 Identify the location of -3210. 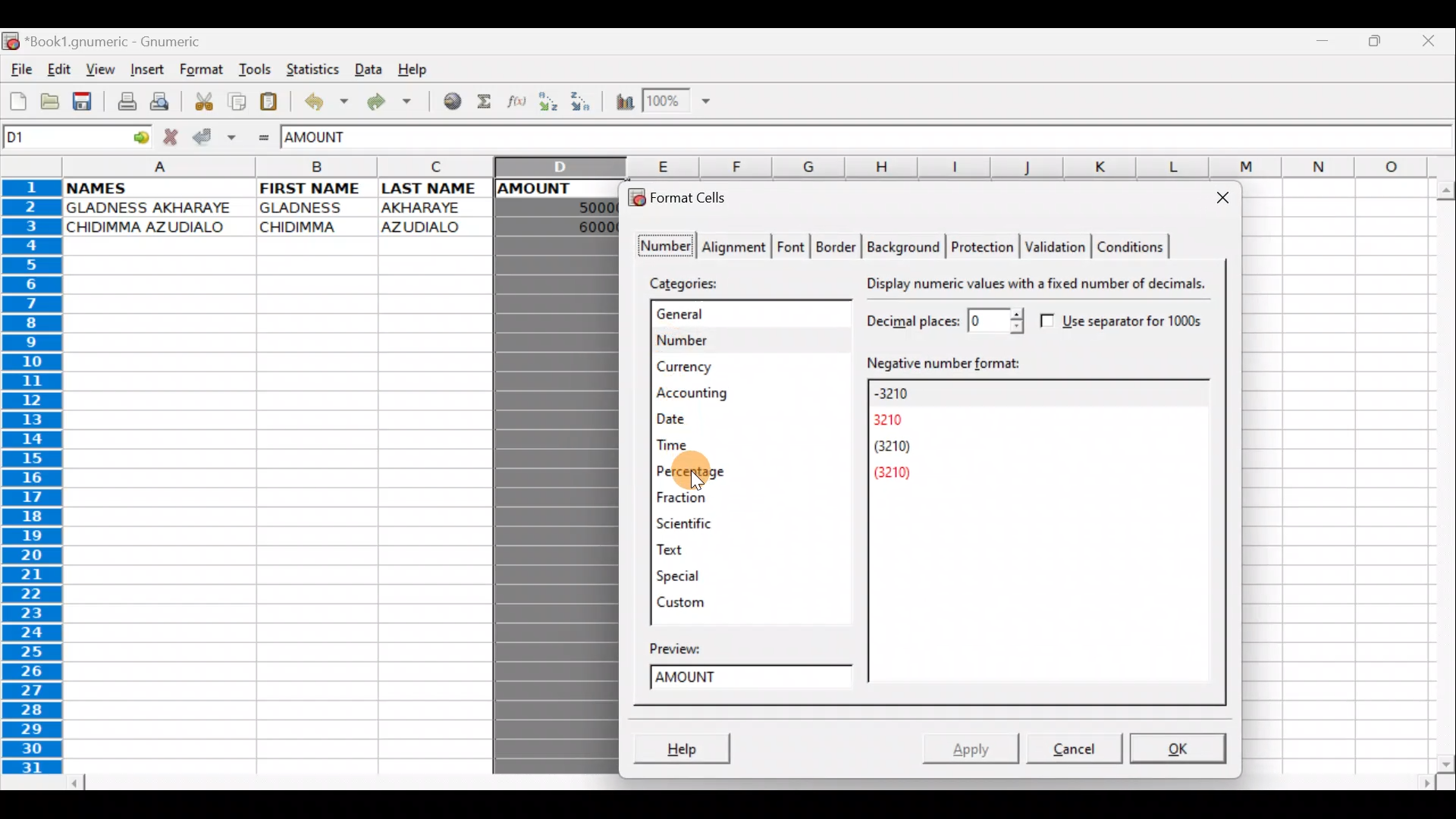
(905, 393).